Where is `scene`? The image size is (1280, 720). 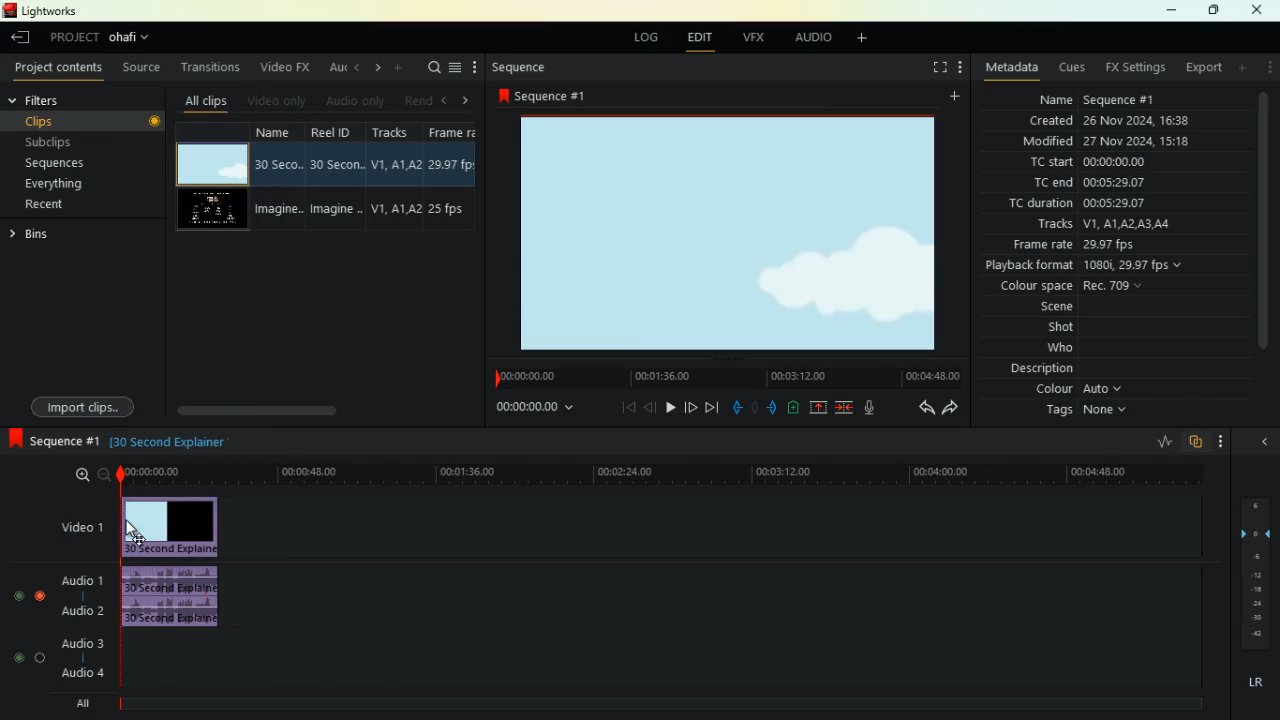 scene is located at coordinates (1035, 309).